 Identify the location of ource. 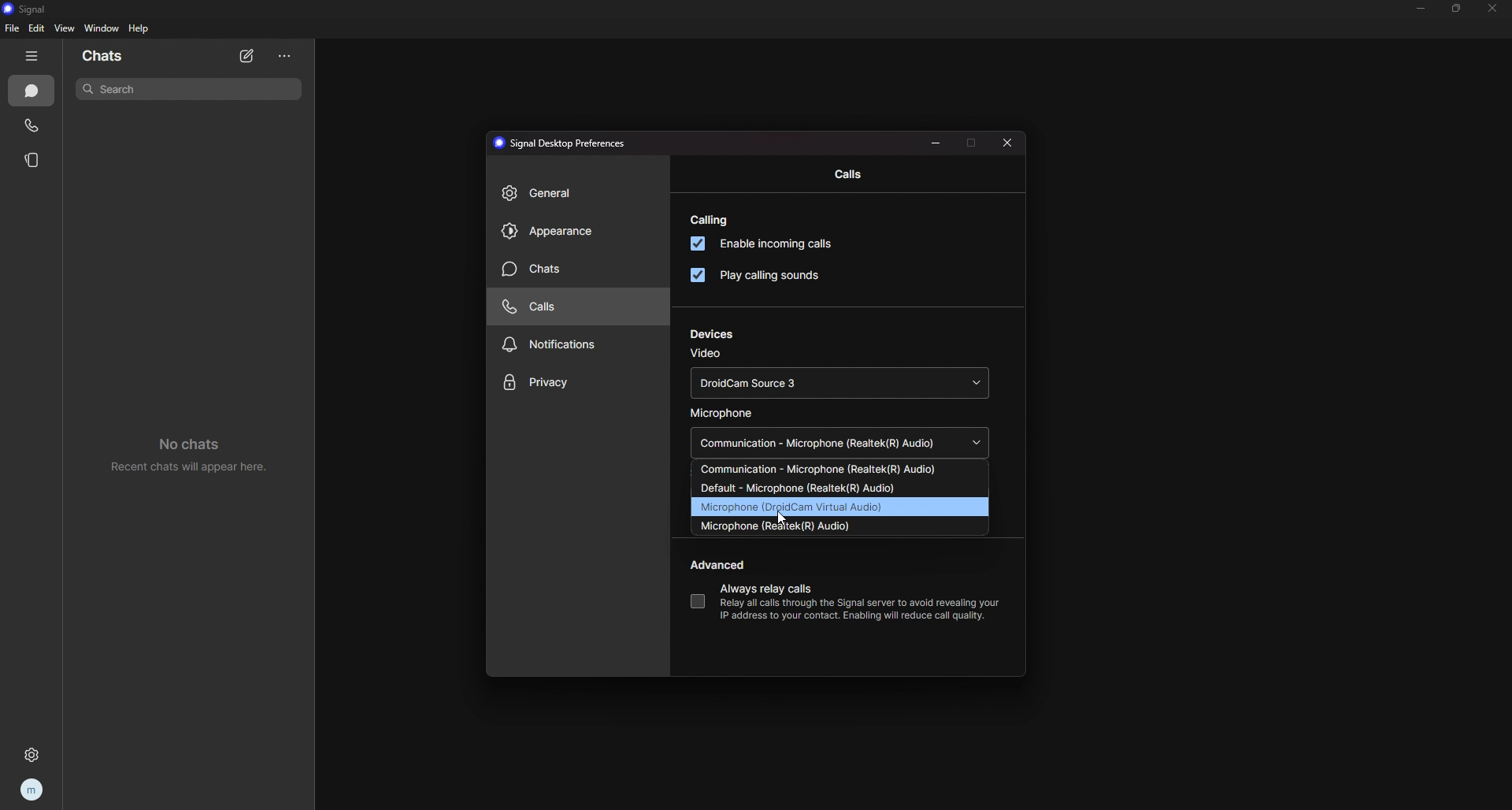
(838, 469).